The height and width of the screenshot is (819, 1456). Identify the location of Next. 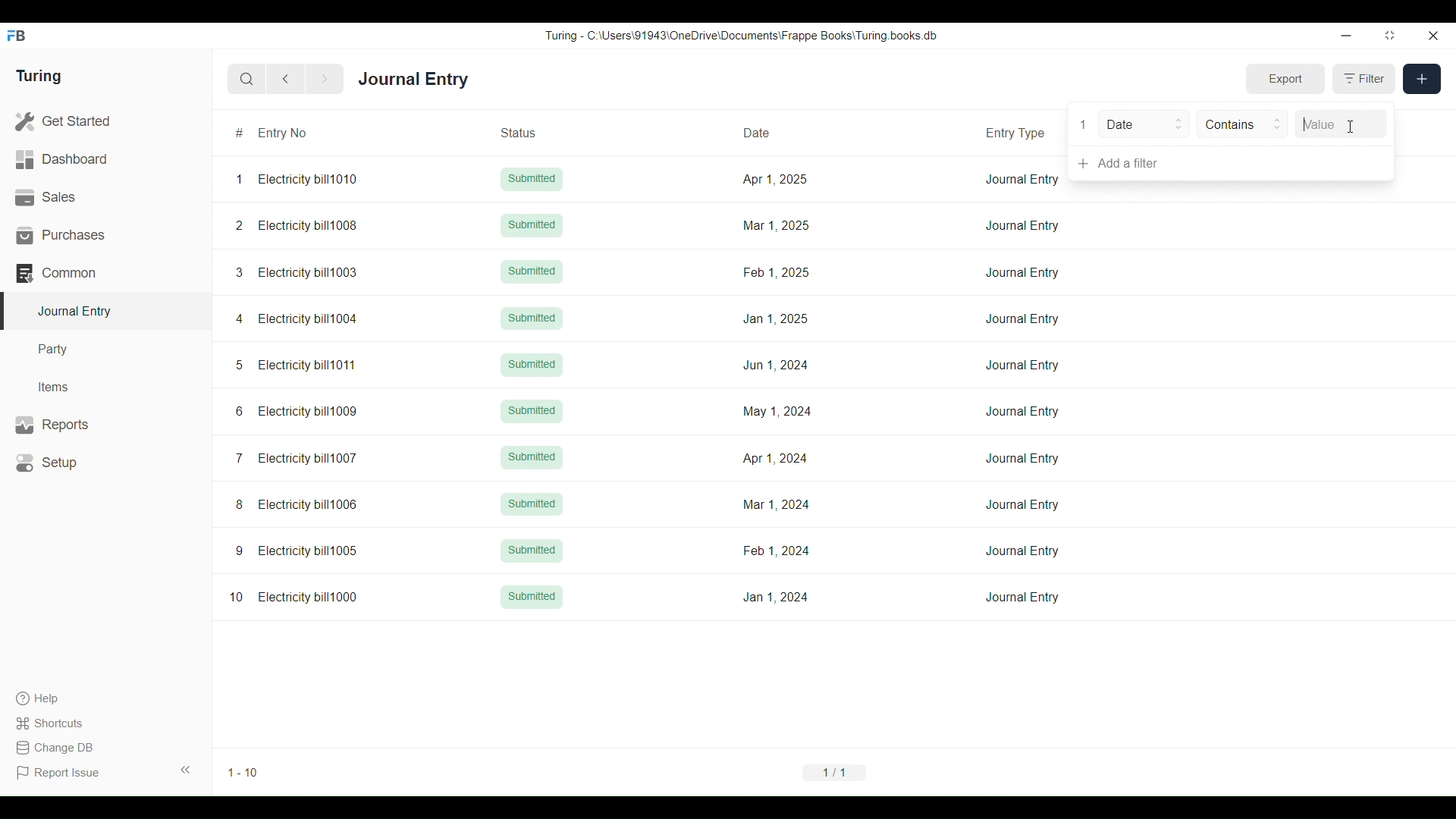
(325, 80).